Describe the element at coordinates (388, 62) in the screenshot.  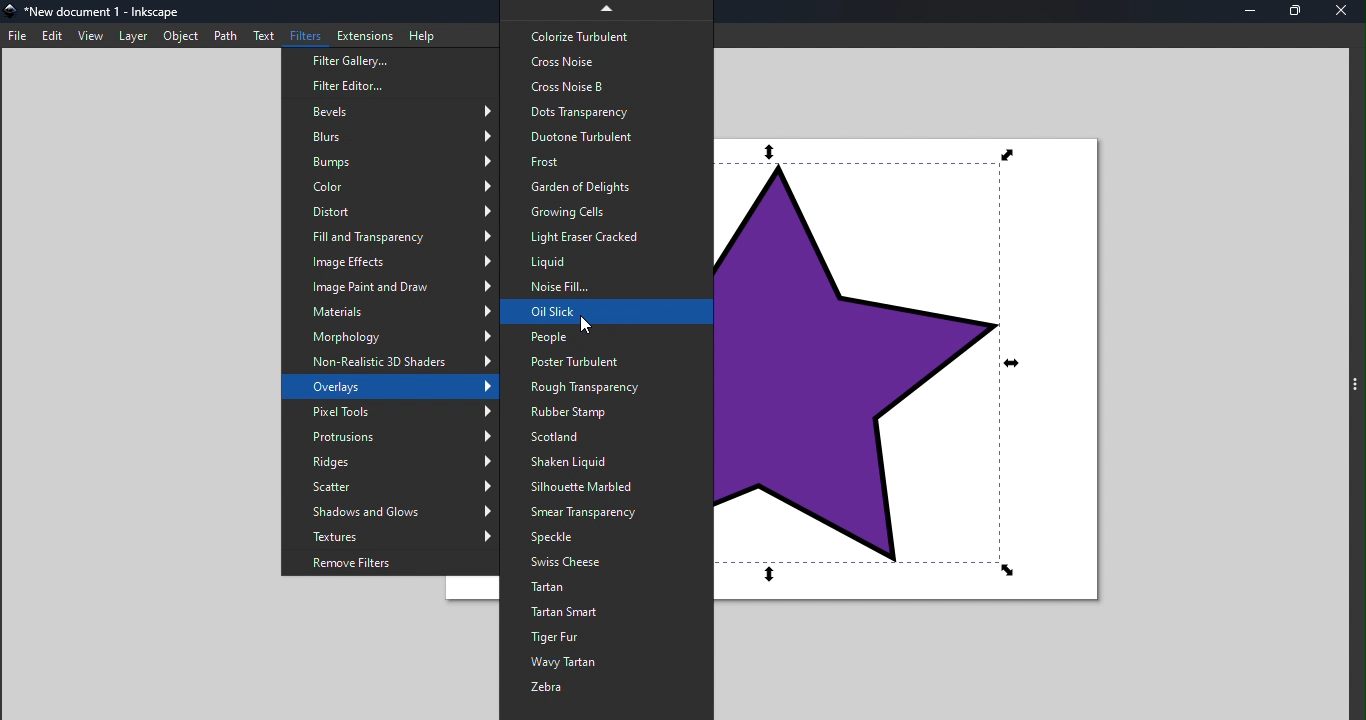
I see `Filter gallery` at that location.